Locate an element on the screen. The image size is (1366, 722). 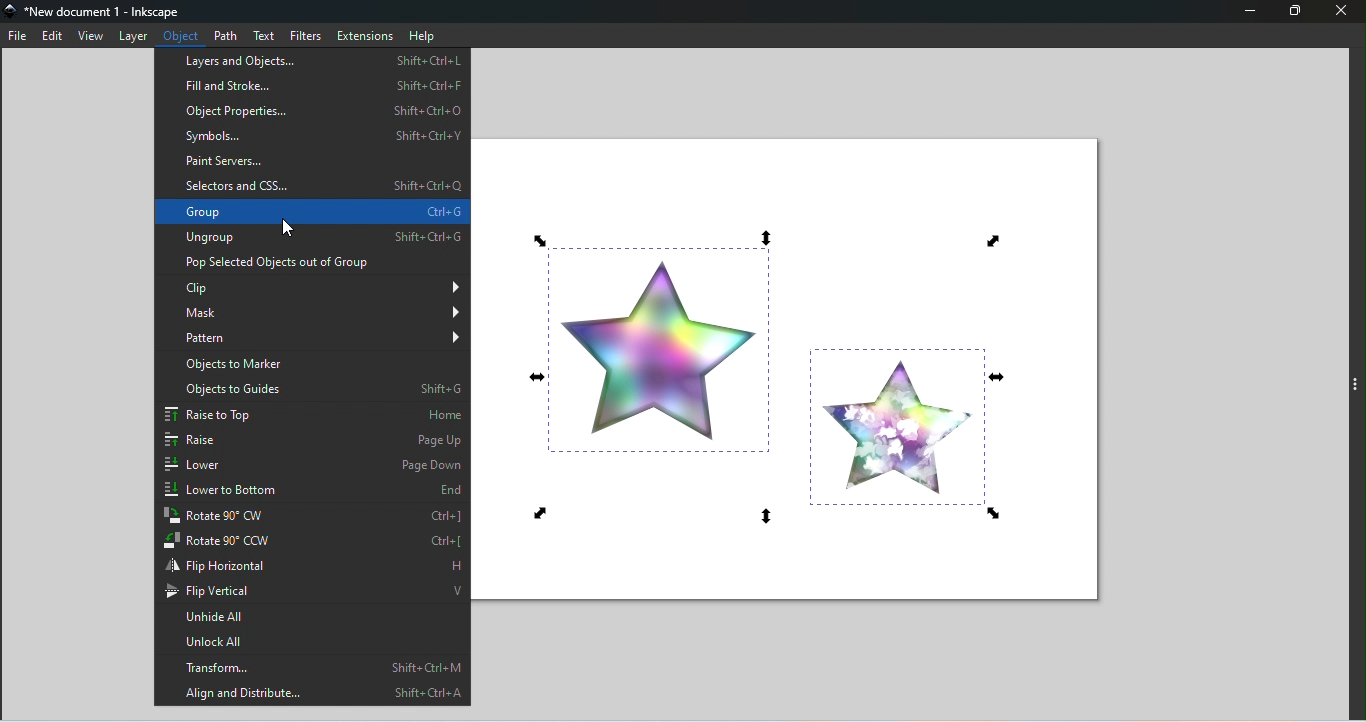
Fill and stroke is located at coordinates (311, 88).